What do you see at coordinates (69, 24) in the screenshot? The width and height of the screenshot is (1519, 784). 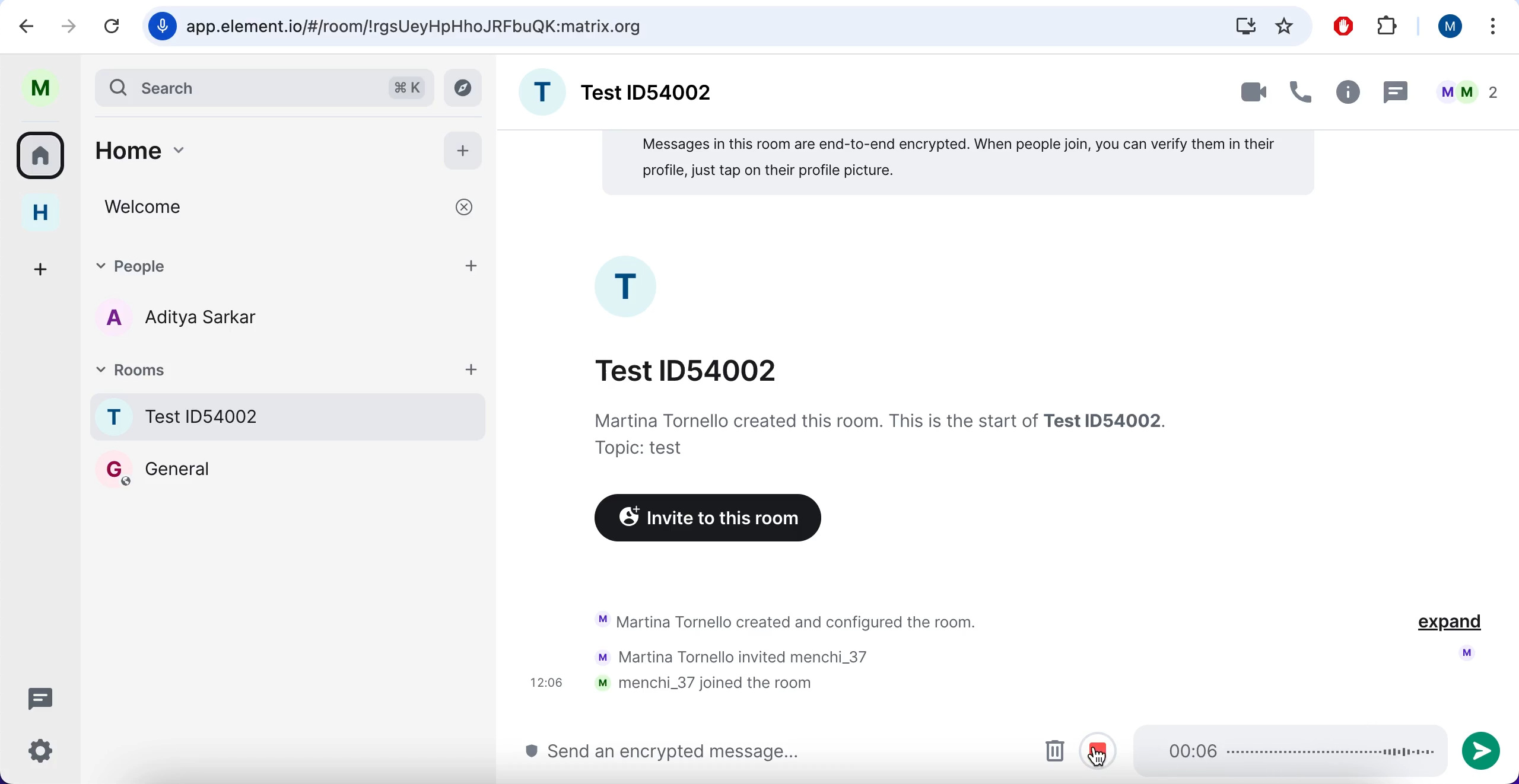 I see `forward` at bounding box center [69, 24].